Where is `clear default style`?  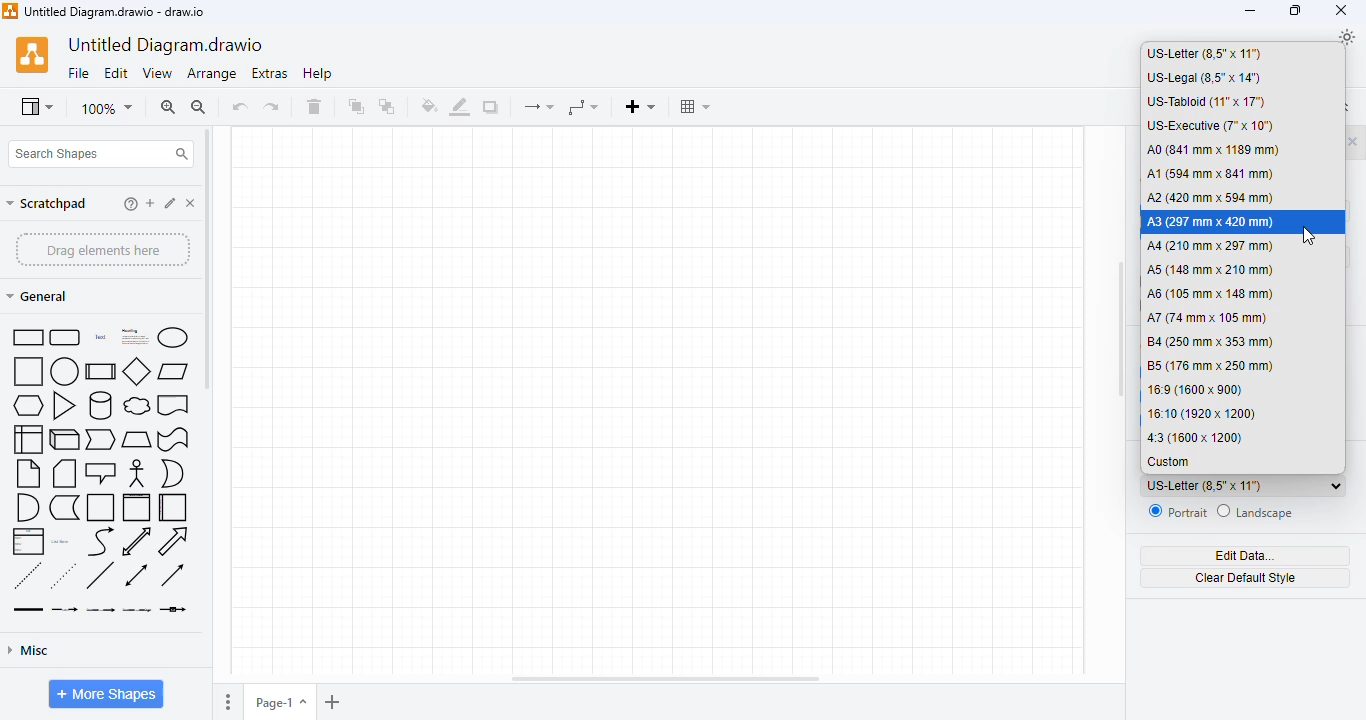 clear default style is located at coordinates (1247, 579).